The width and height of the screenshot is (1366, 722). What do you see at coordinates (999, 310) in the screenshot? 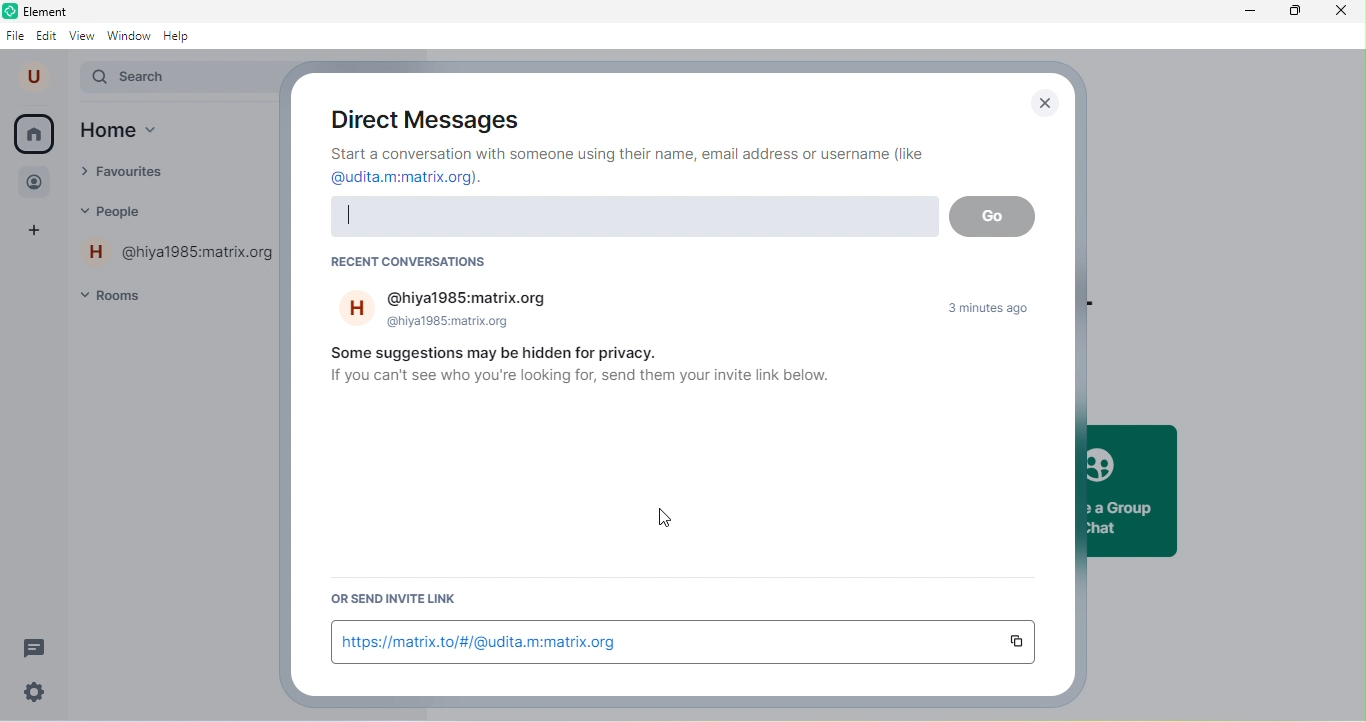
I see `3 min ago` at bounding box center [999, 310].